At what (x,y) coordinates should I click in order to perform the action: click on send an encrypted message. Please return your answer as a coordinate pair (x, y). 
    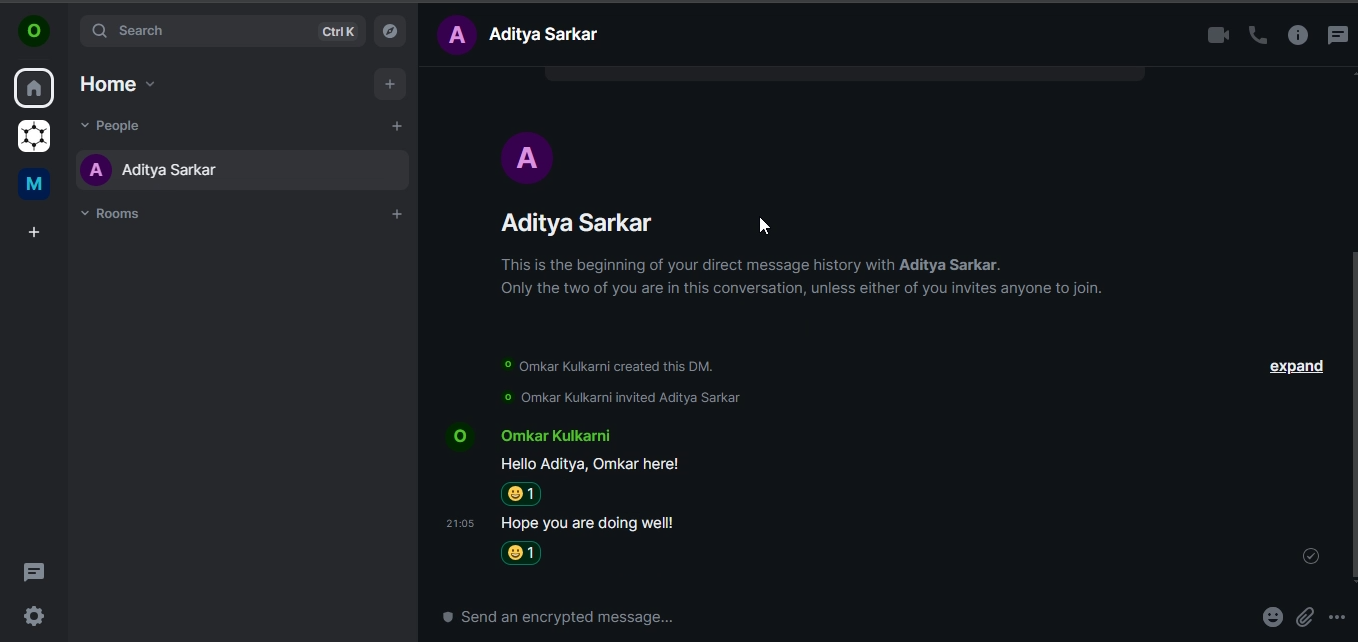
    Looking at the image, I should click on (575, 618).